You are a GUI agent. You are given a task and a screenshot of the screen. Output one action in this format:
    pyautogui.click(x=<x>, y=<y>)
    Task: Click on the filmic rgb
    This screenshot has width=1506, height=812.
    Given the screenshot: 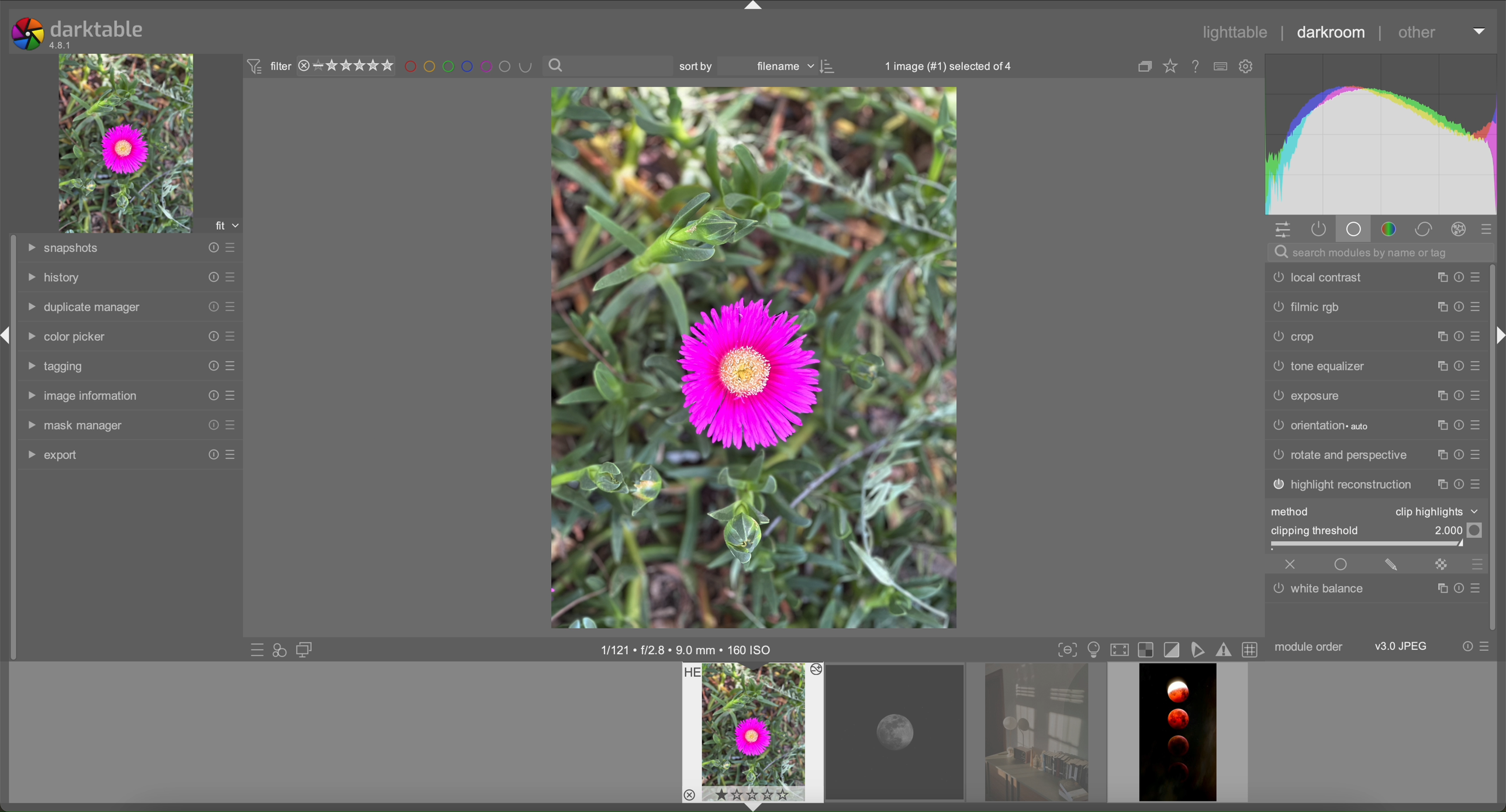 What is the action you would take?
    pyautogui.click(x=1306, y=307)
    